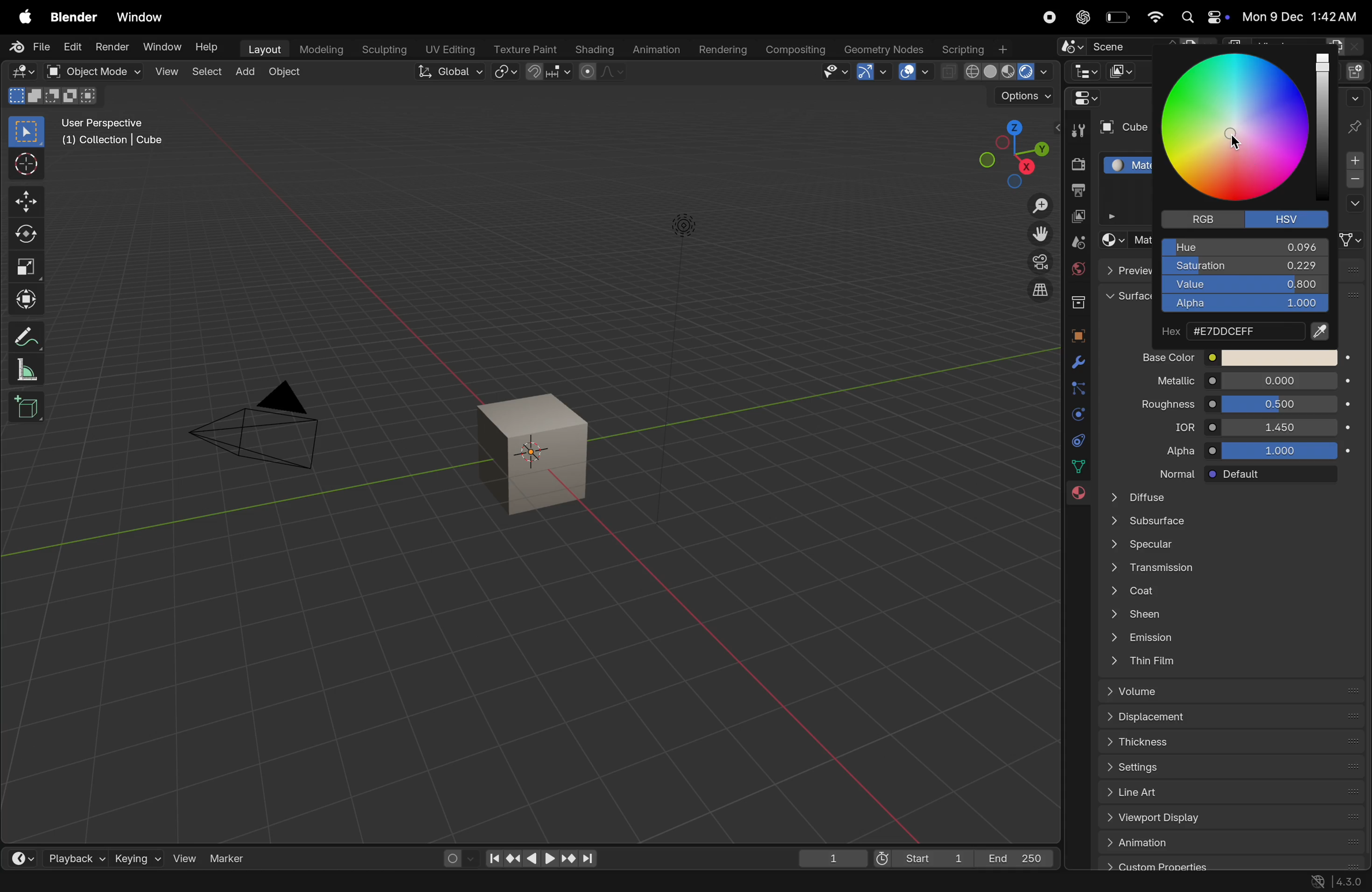 The width and height of the screenshot is (1372, 892). I want to click on chatgpt, so click(1079, 17).